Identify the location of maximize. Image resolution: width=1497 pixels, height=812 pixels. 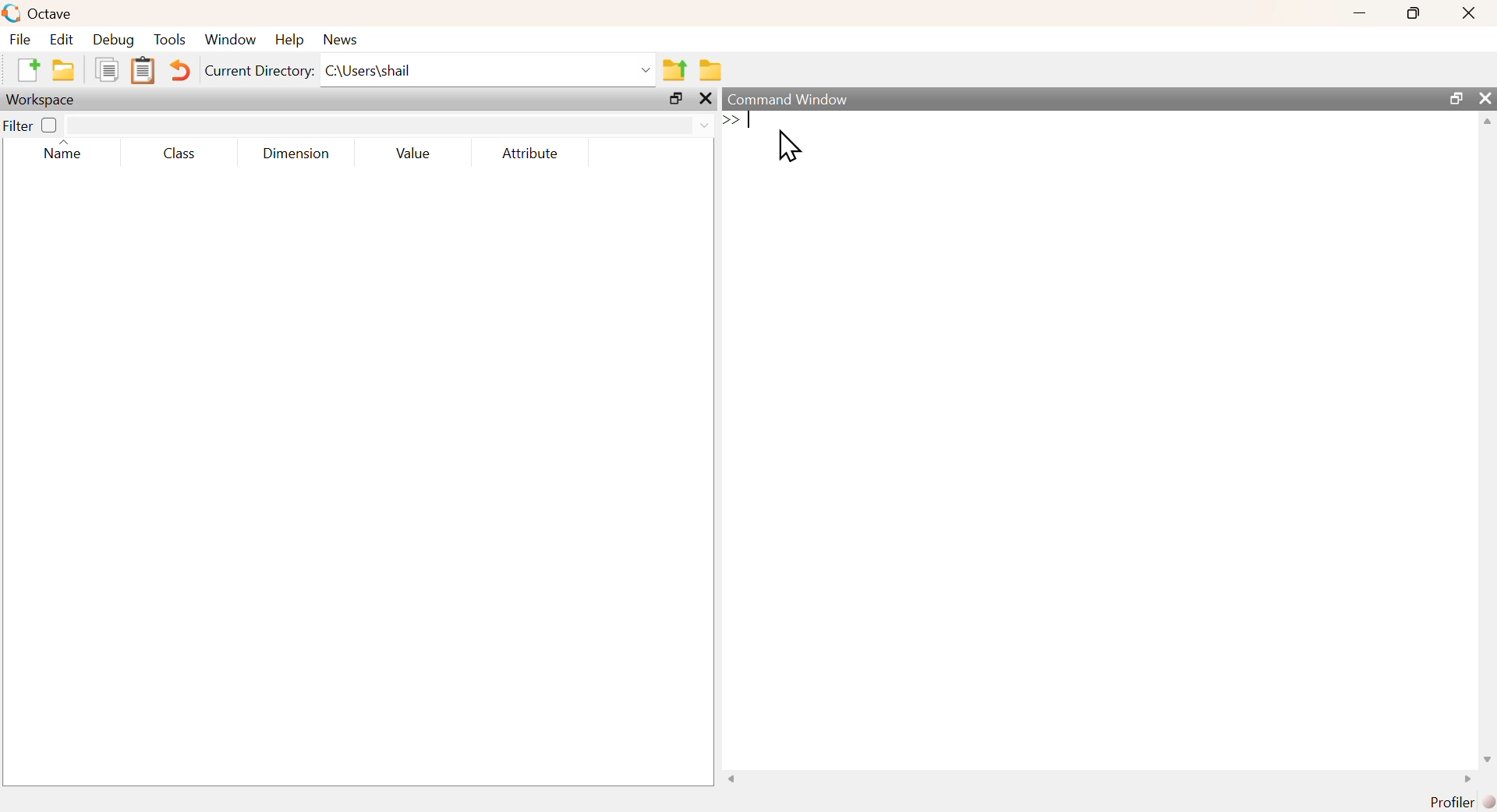
(1455, 97).